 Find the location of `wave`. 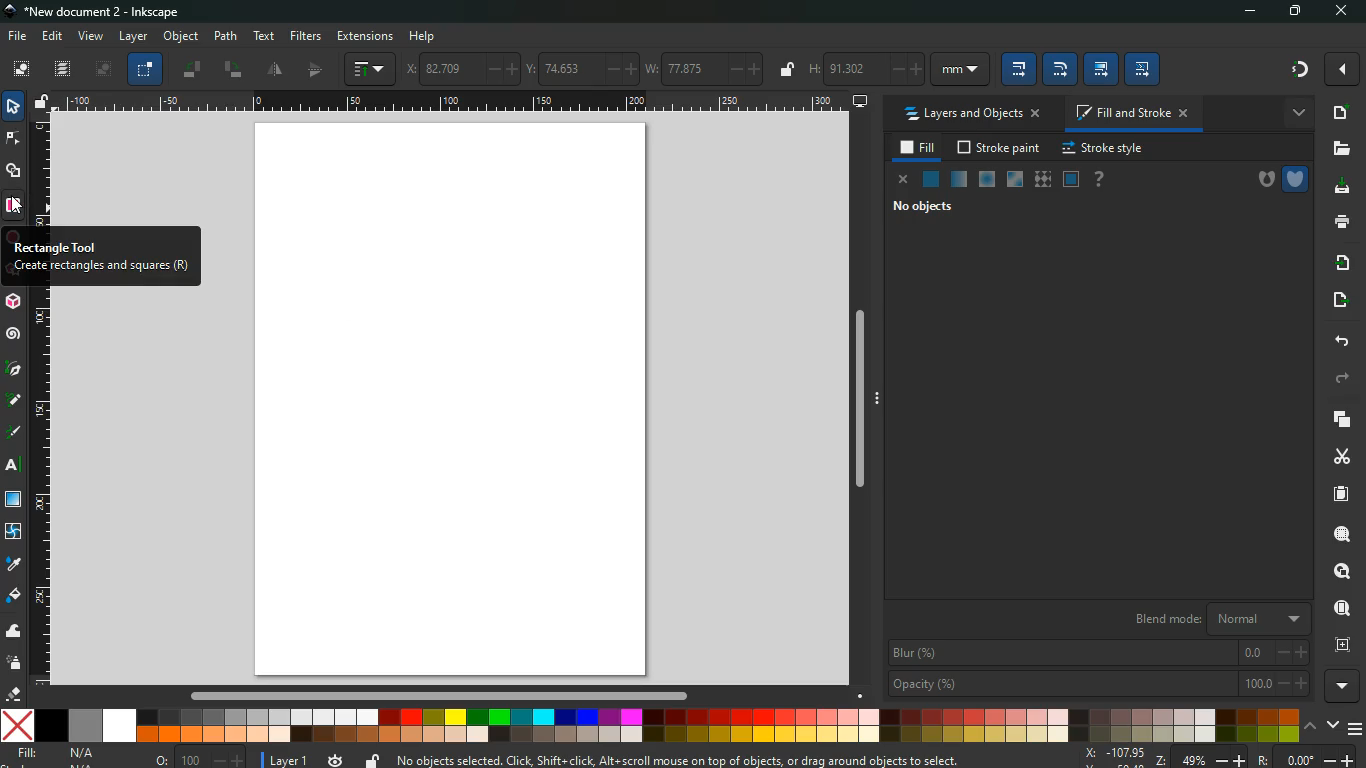

wave is located at coordinates (12, 631).